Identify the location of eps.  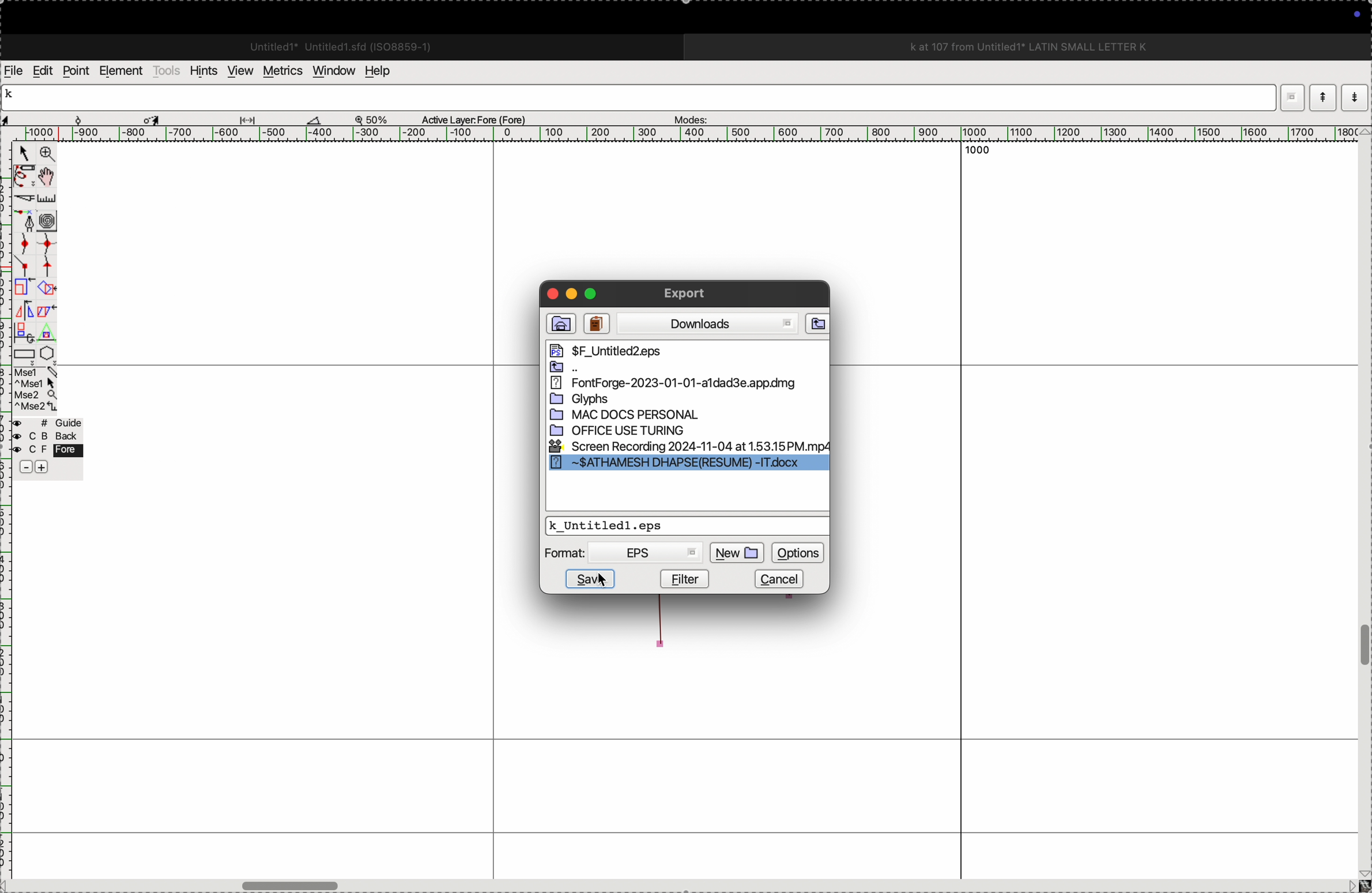
(646, 553).